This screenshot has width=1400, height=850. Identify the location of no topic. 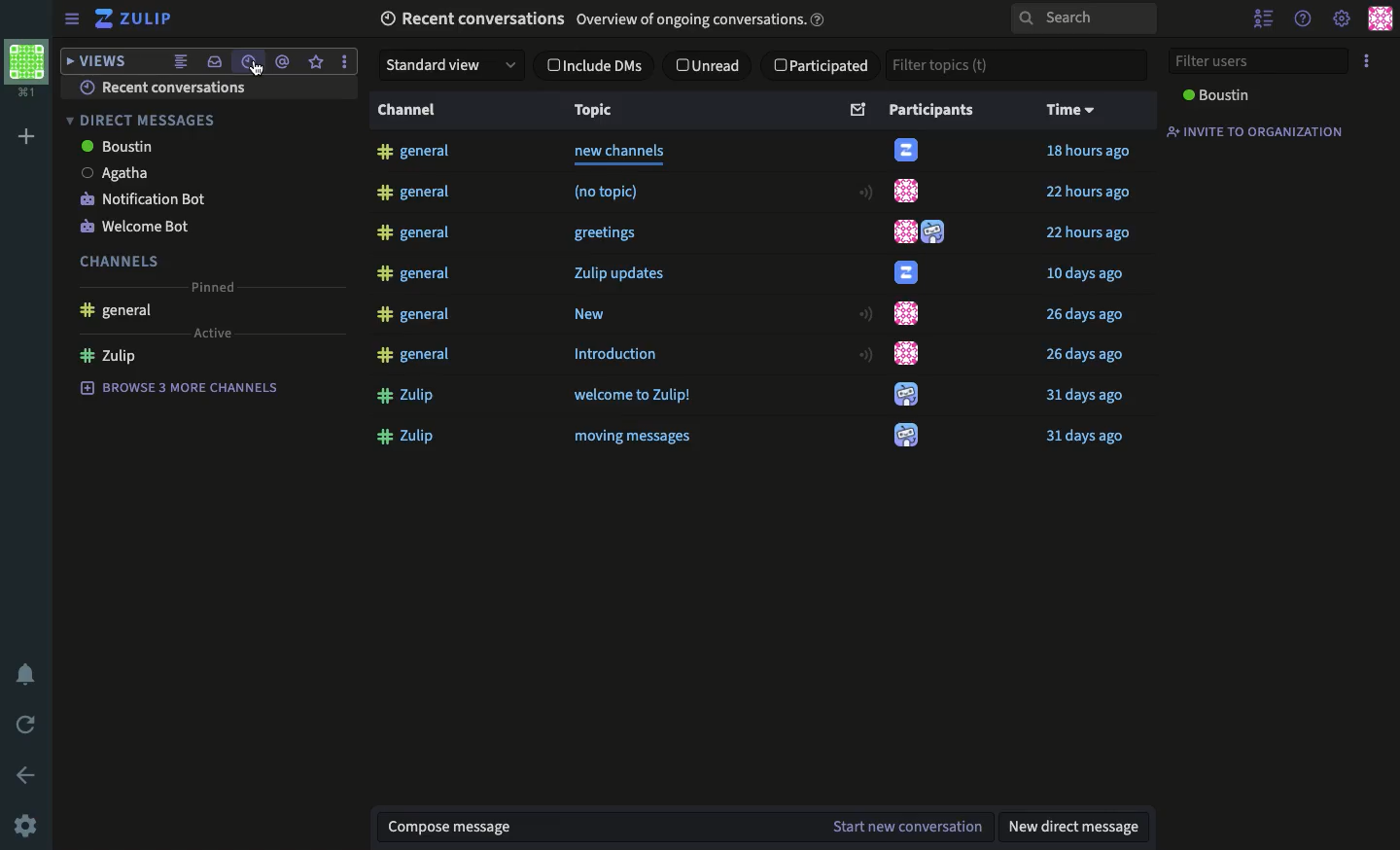
(619, 192).